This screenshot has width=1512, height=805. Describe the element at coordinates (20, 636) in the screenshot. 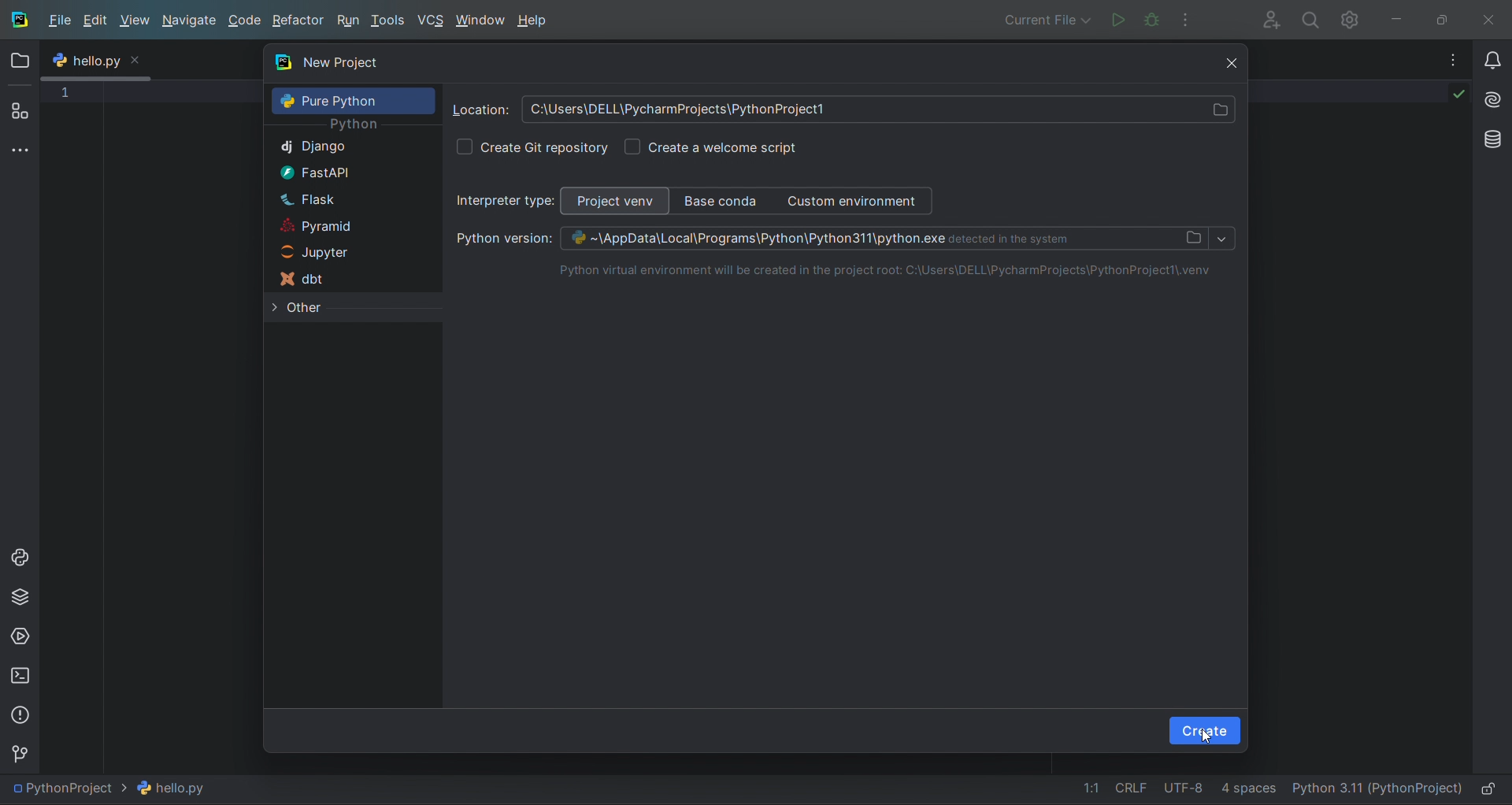

I see `services` at that location.